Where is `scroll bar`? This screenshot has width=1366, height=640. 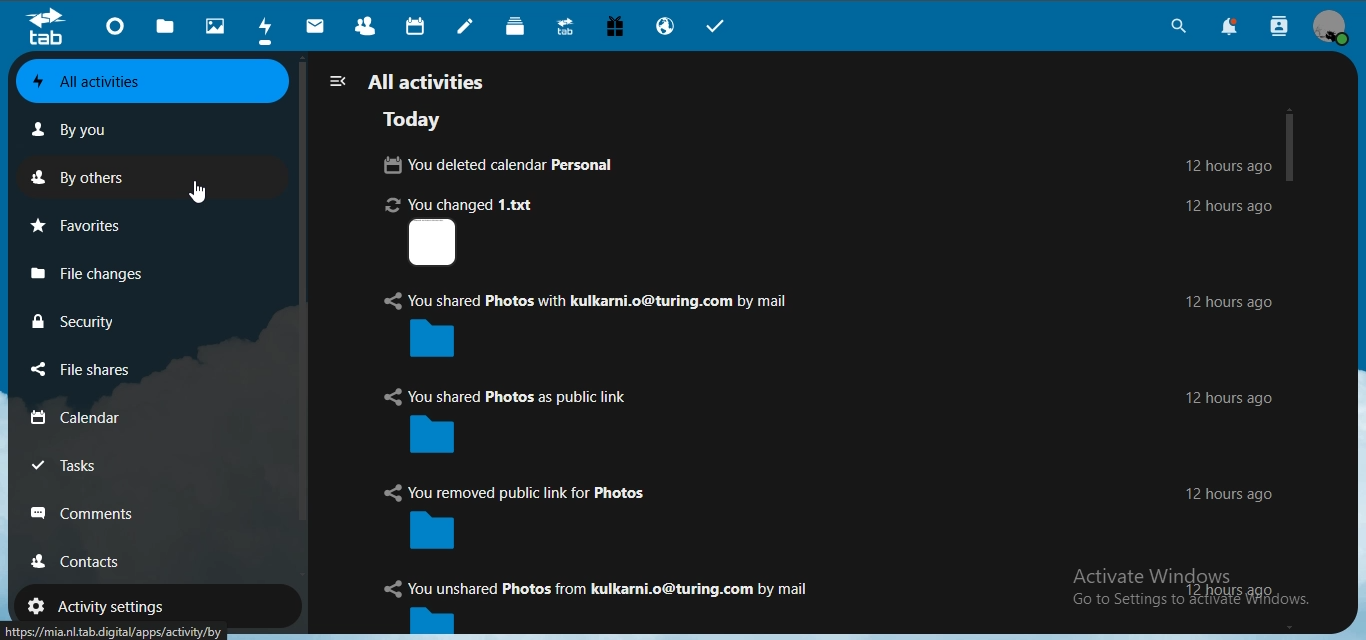
scroll bar is located at coordinates (302, 294).